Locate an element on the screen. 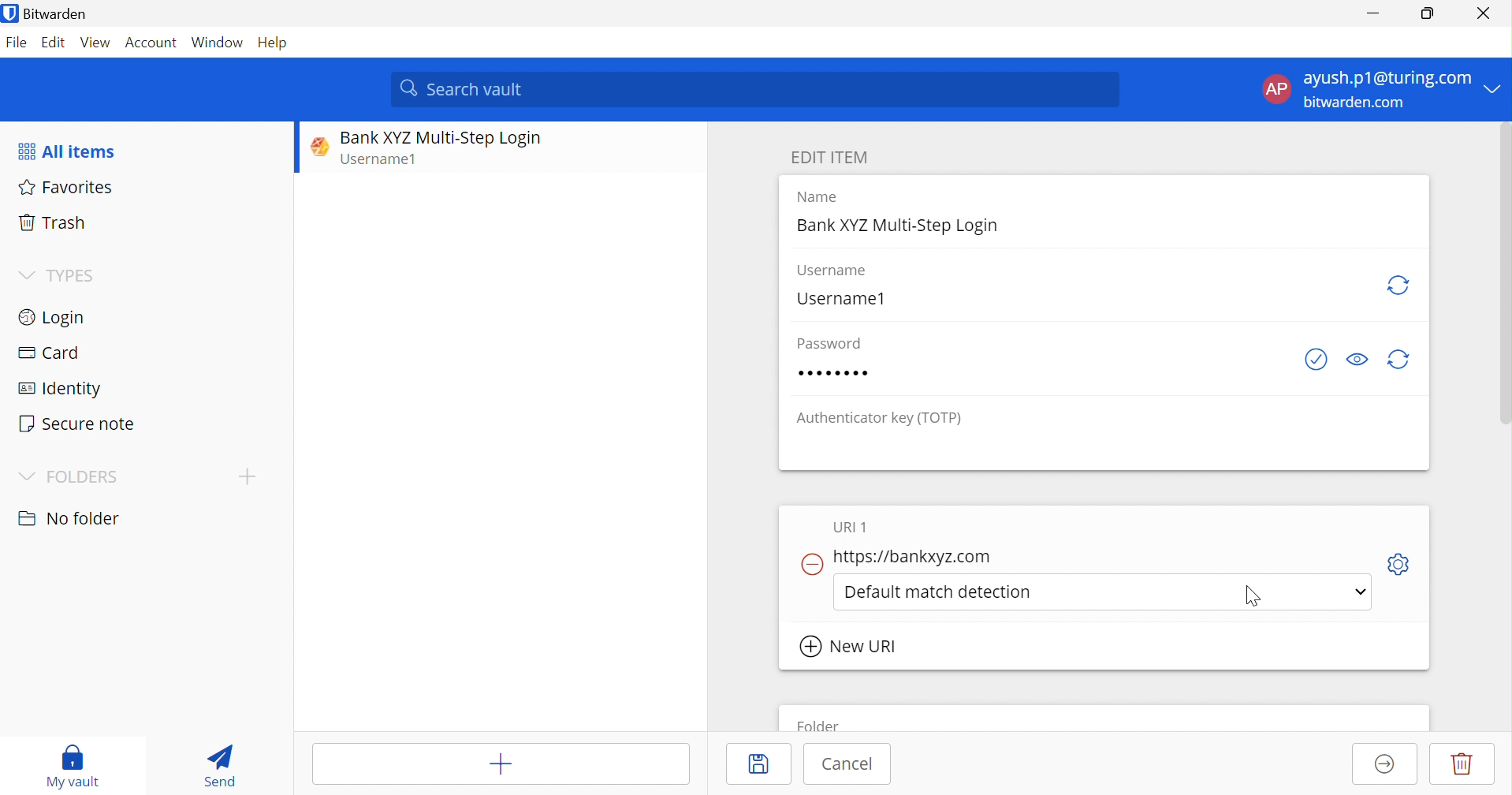  Search vault is located at coordinates (758, 88).